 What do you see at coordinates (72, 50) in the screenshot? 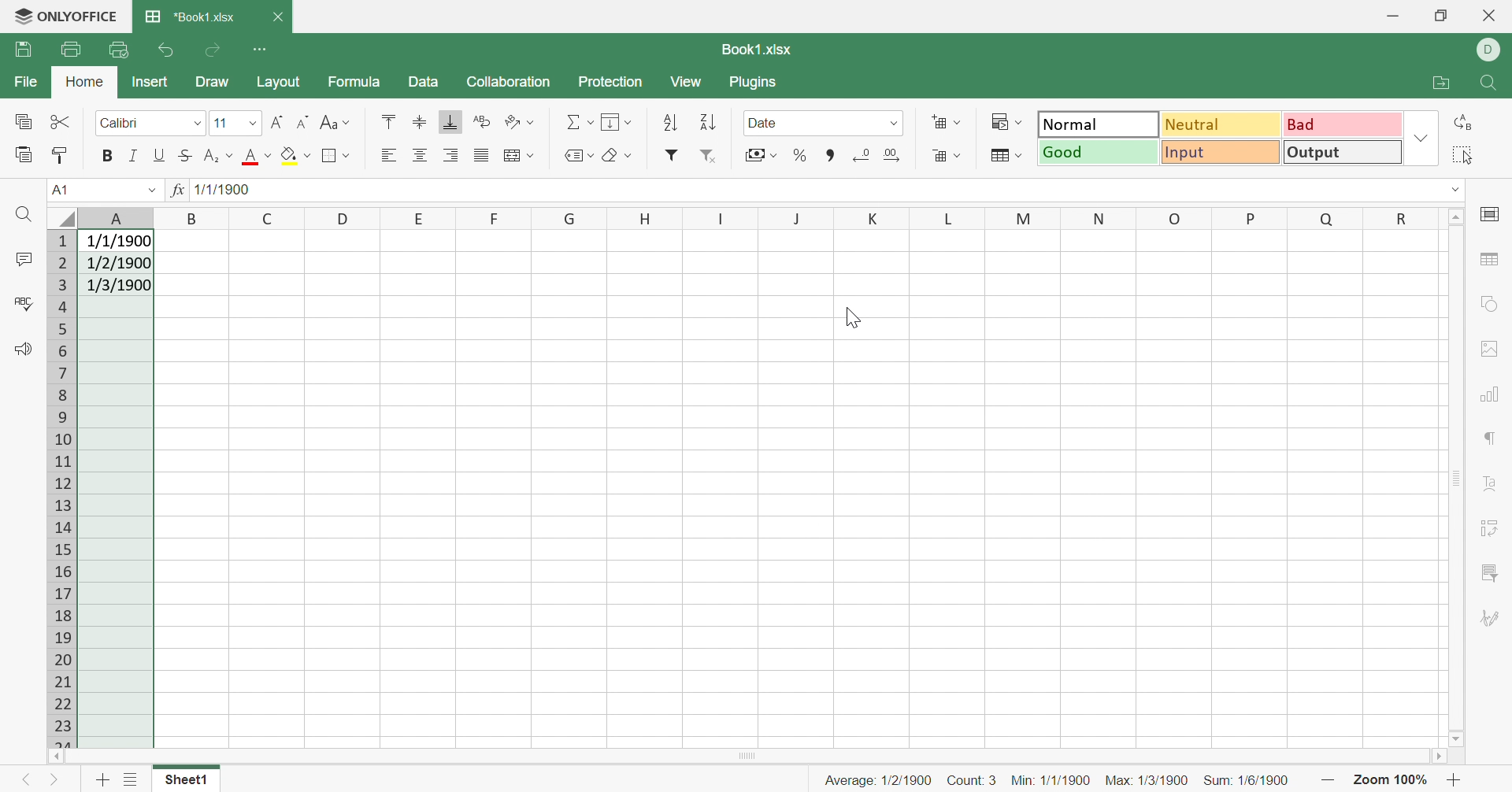
I see `Print file` at bounding box center [72, 50].